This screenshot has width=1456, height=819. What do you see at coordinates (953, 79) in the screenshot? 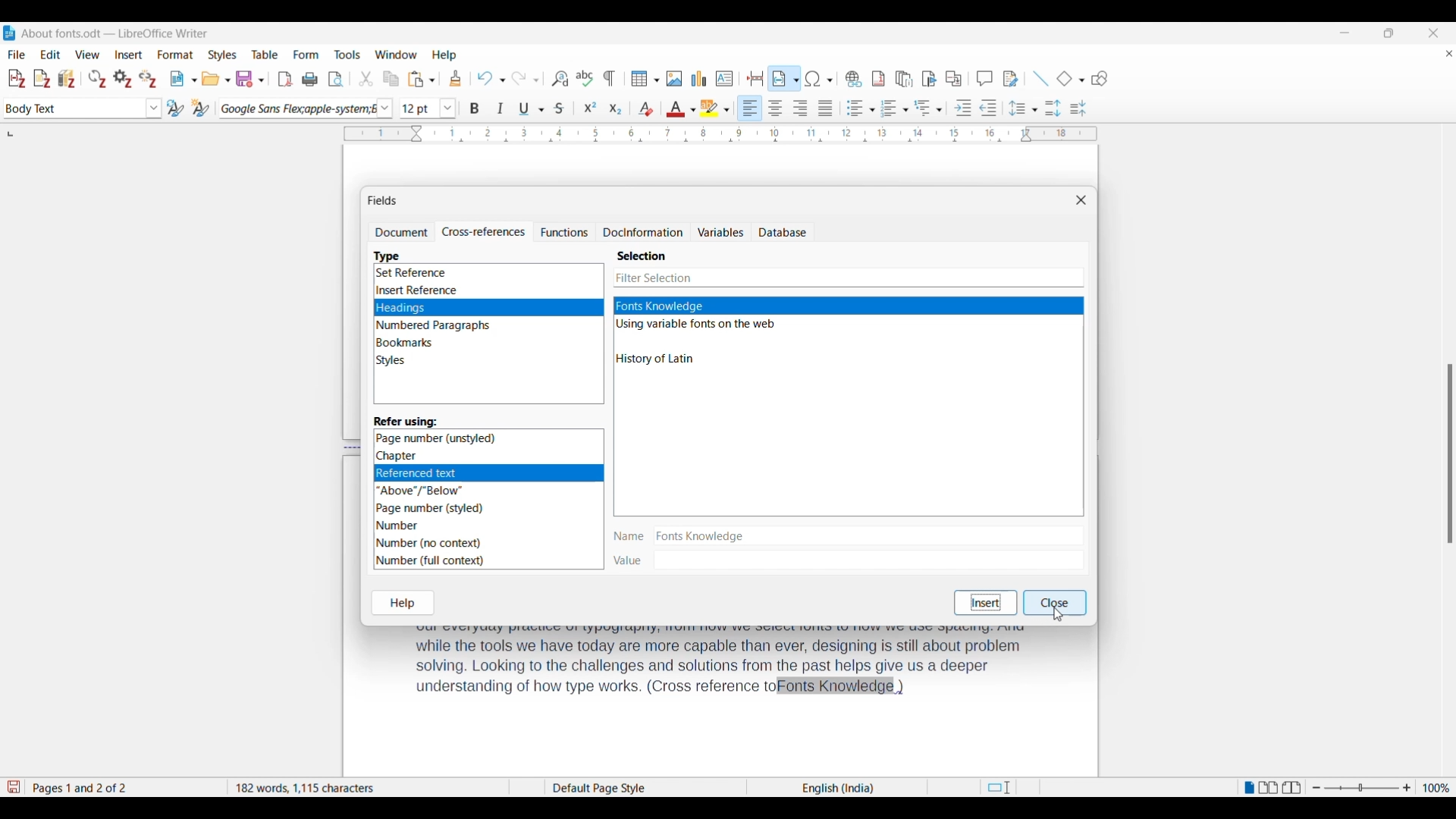
I see `Insert cross-reference` at bounding box center [953, 79].